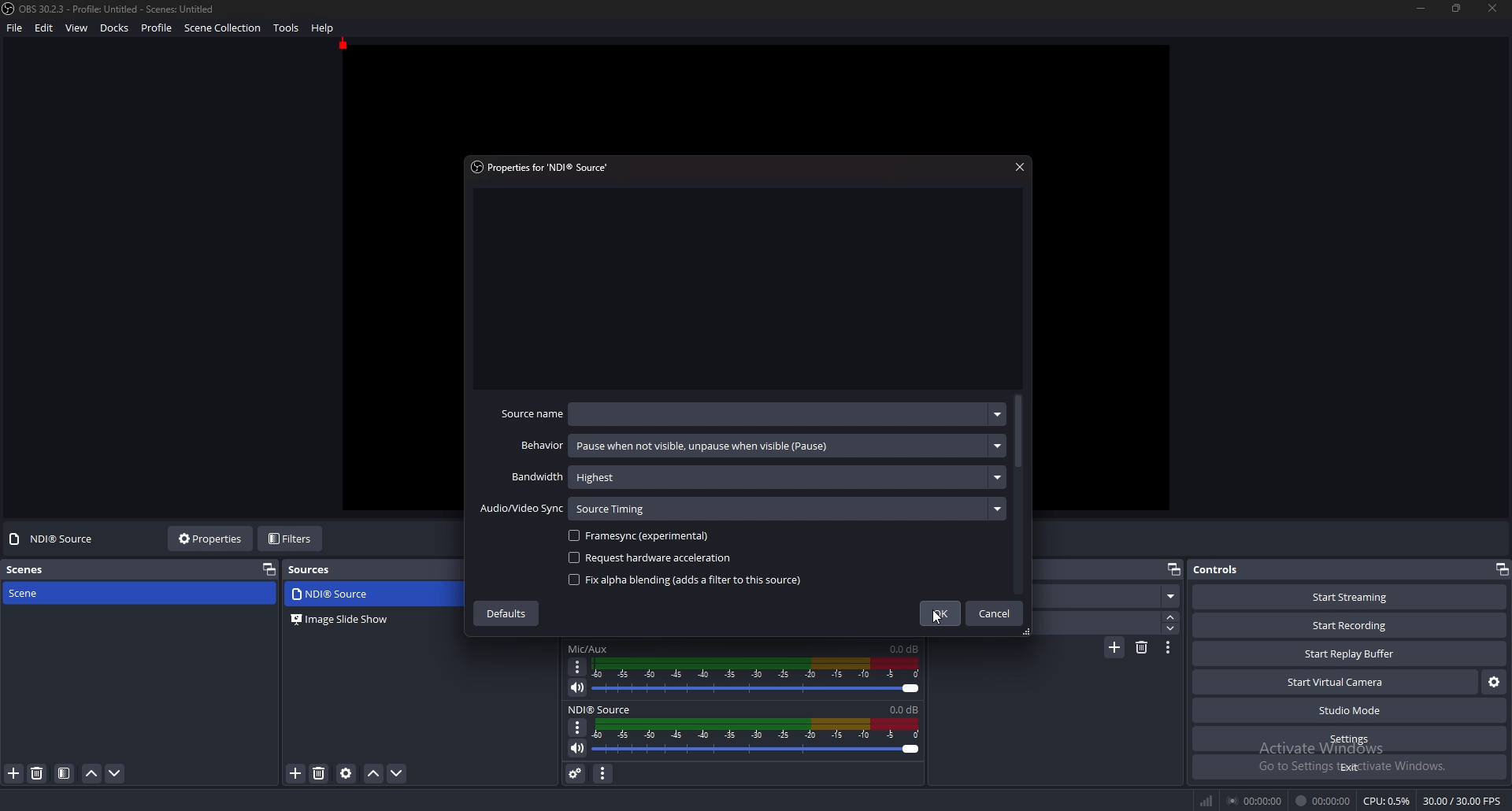 This screenshot has height=811, width=1512. I want to click on defaults, so click(510, 614).